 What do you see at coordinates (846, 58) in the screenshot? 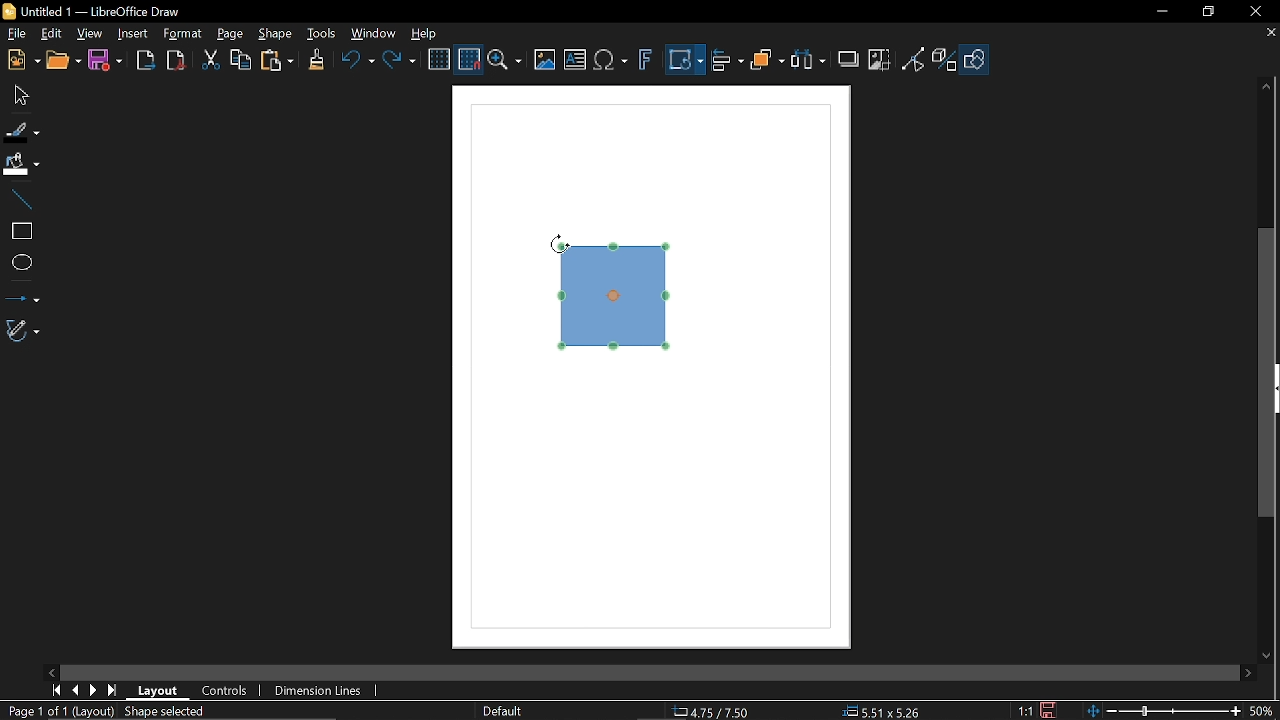
I see `Shadow` at bounding box center [846, 58].